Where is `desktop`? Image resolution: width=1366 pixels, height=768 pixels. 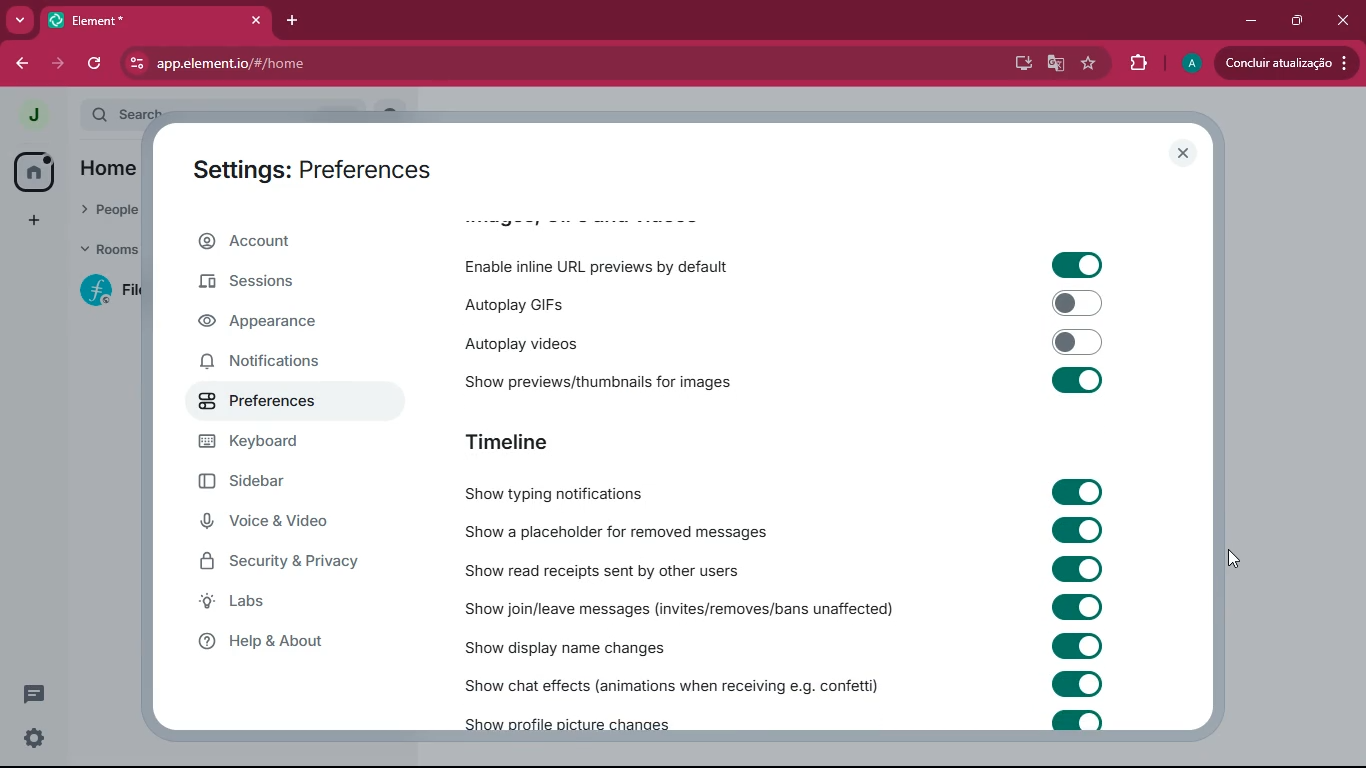
desktop is located at coordinates (1021, 64).